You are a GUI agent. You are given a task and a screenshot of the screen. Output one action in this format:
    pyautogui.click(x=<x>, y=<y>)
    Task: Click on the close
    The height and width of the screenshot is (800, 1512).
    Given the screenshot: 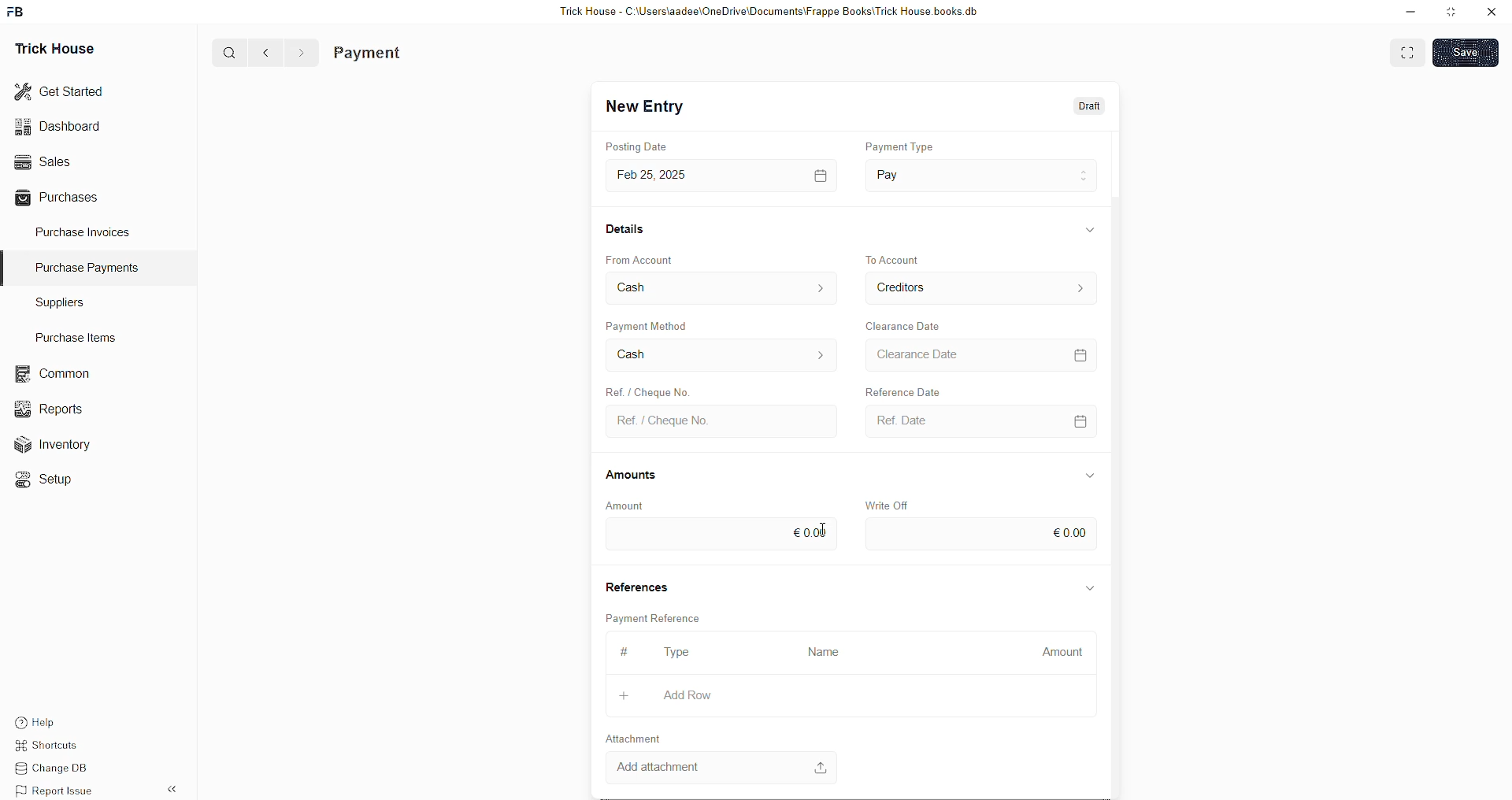 What is the action you would take?
    pyautogui.click(x=1492, y=12)
    